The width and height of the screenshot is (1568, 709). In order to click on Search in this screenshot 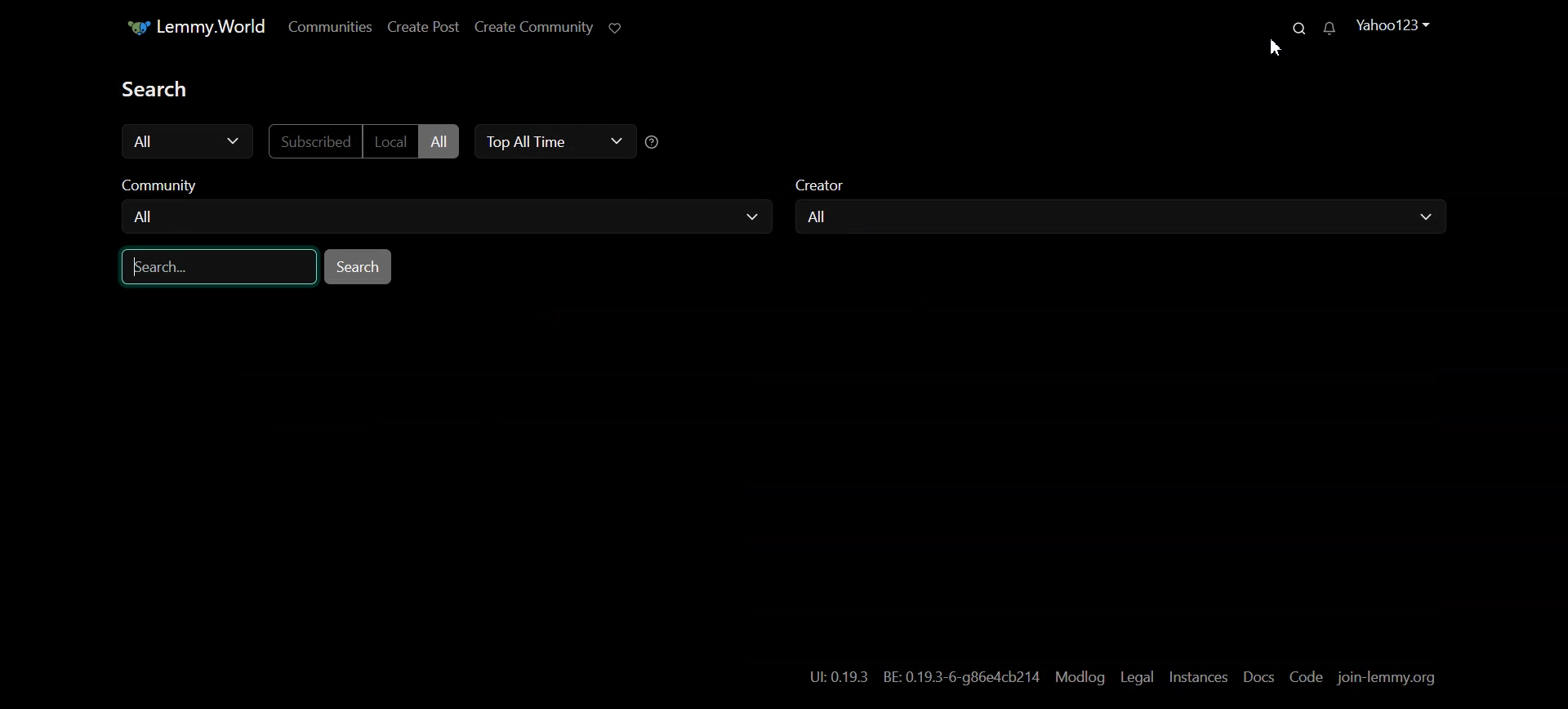, I will do `click(1295, 29)`.